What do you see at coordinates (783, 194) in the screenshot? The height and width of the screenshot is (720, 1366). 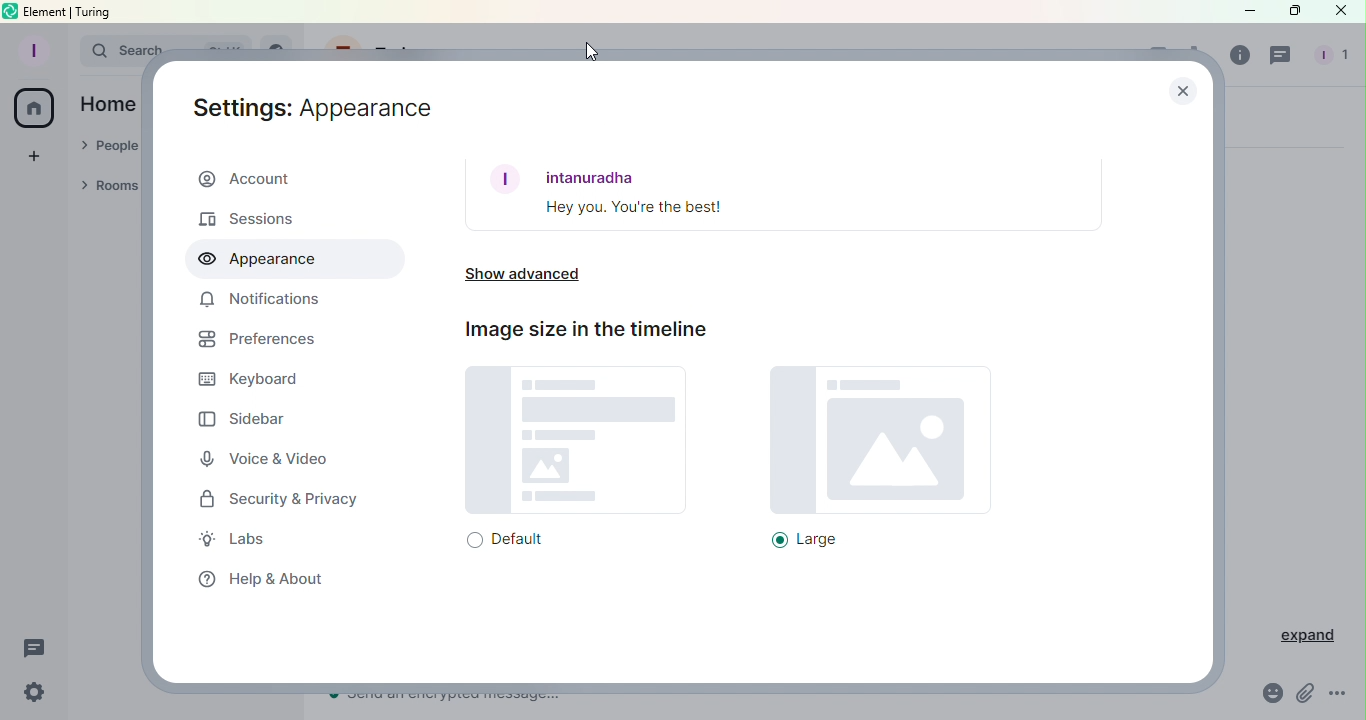 I see `Font example` at bounding box center [783, 194].